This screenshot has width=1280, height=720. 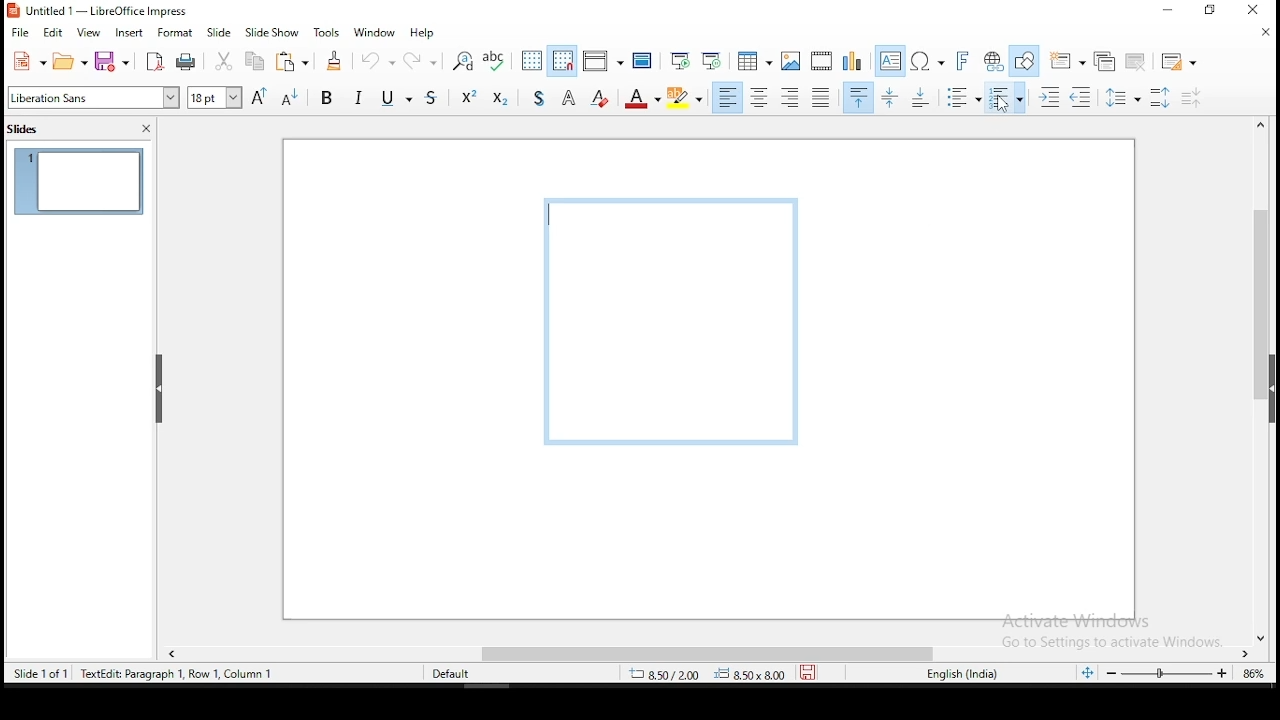 I want to click on start from first slide, so click(x=677, y=63).